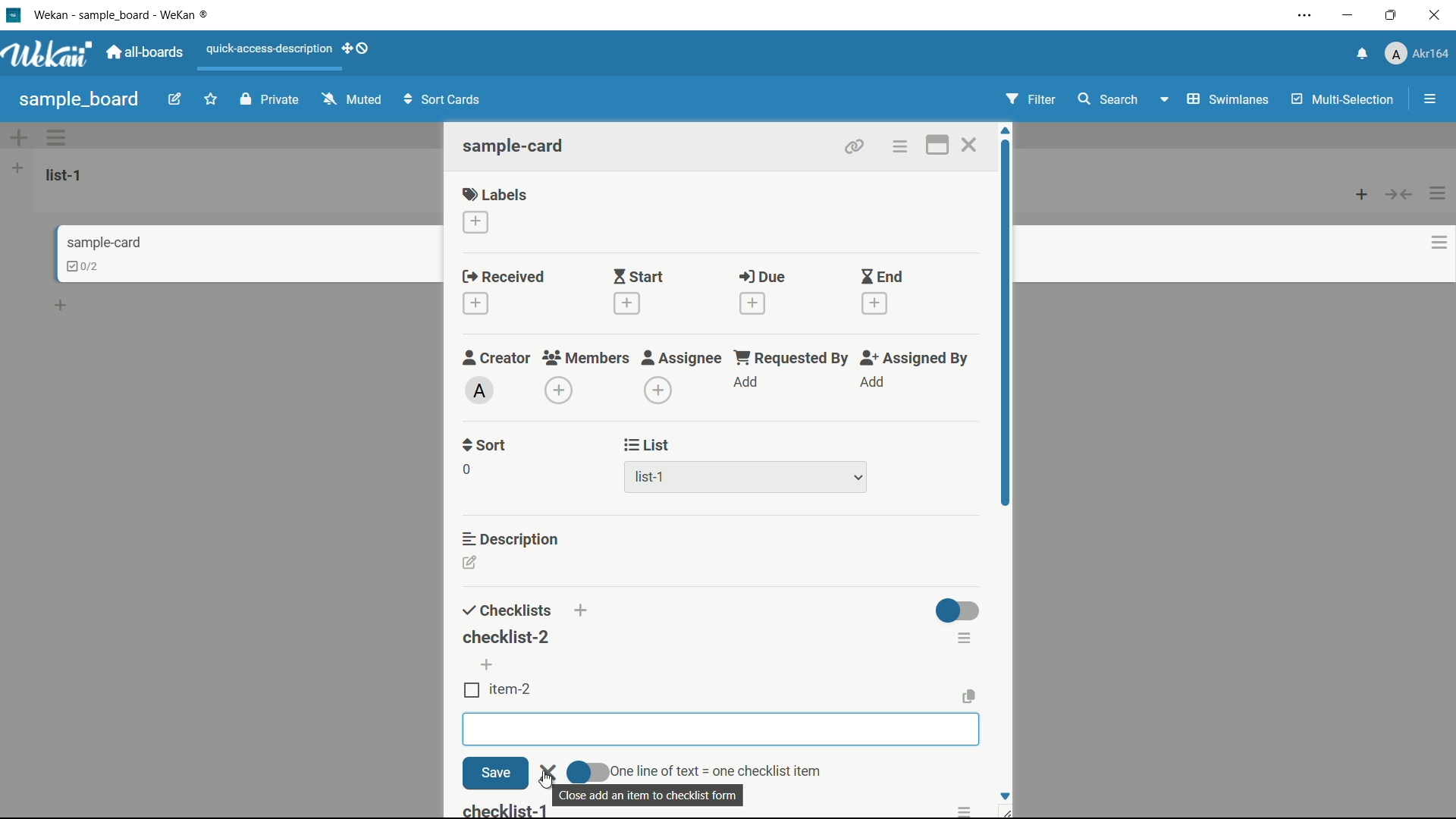 The height and width of the screenshot is (819, 1456). Describe the element at coordinates (648, 445) in the screenshot. I see `list` at that location.